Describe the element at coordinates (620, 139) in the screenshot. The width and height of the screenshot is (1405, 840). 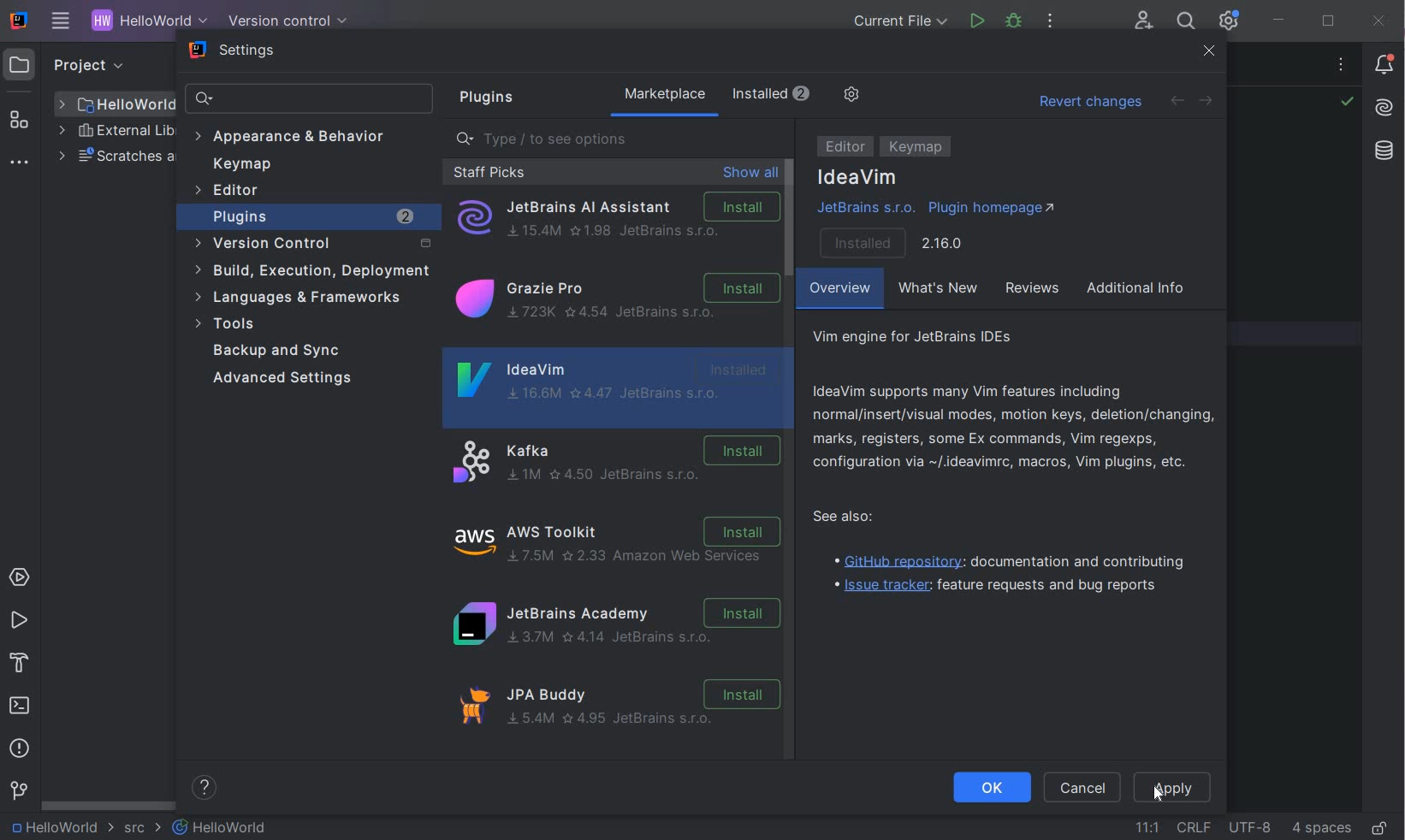
I see `type/to seeoptions` at that location.